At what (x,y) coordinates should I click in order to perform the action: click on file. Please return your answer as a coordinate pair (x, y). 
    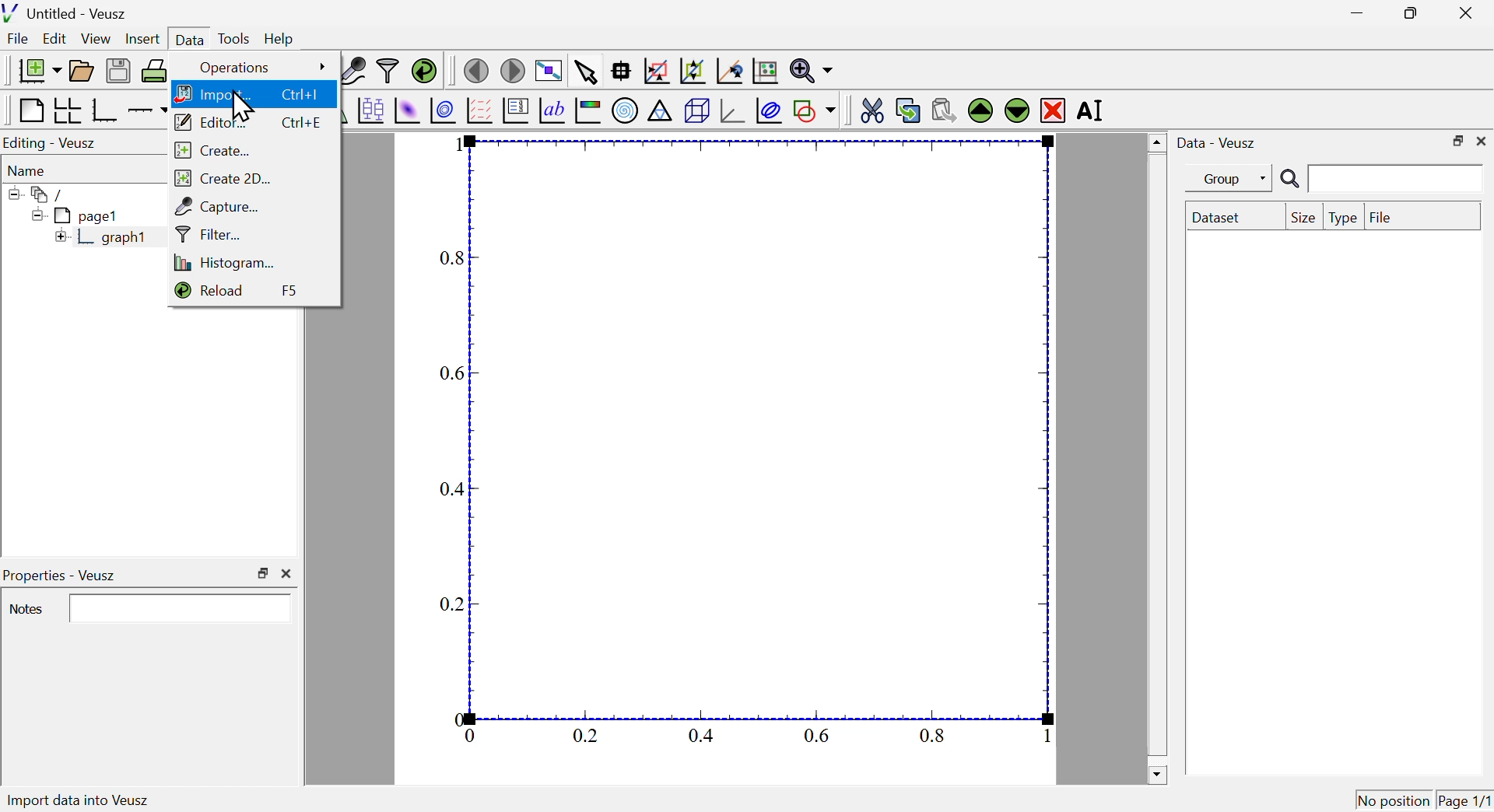
    Looking at the image, I should click on (19, 40).